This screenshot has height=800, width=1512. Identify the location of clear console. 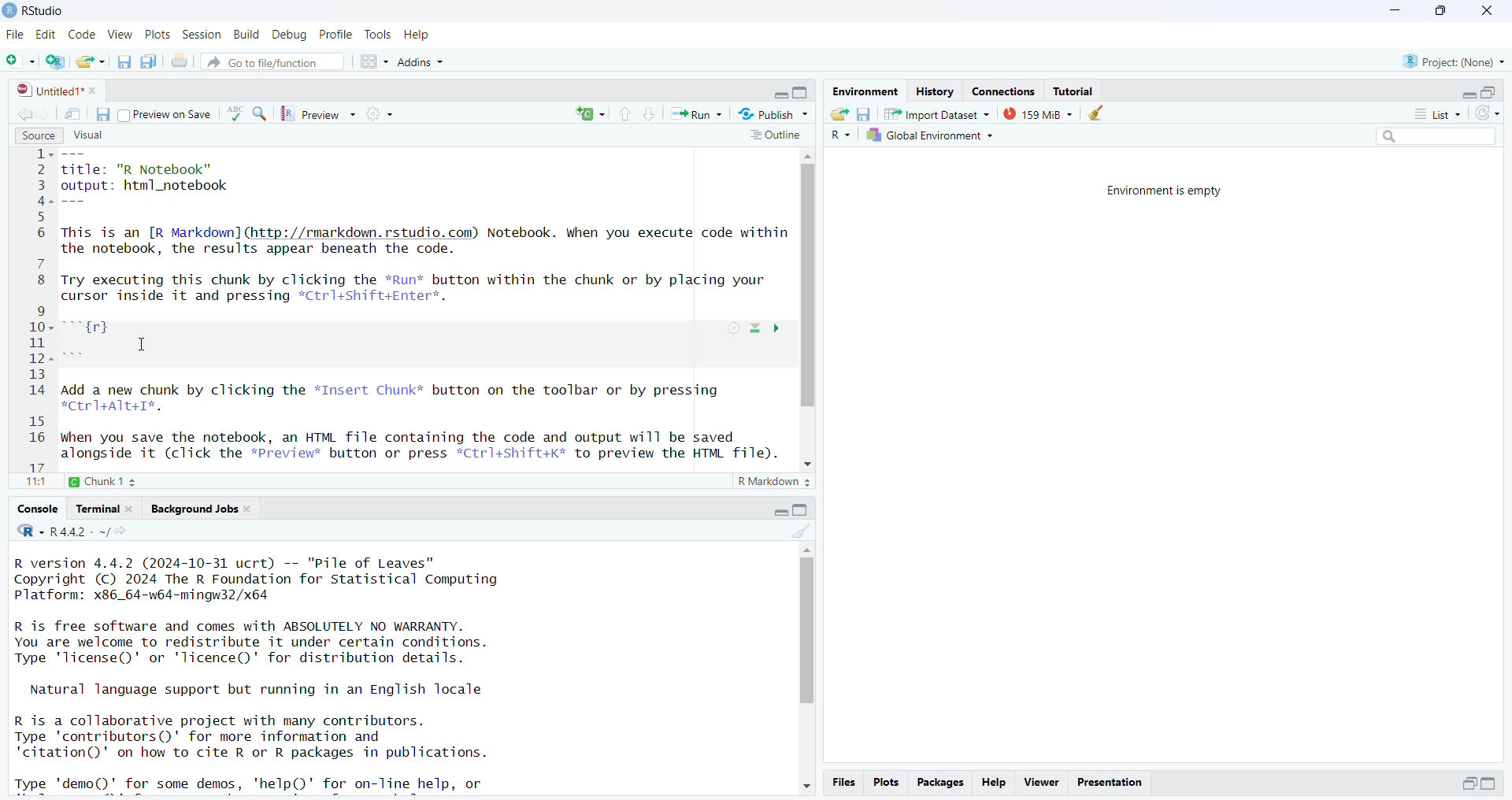
(802, 529).